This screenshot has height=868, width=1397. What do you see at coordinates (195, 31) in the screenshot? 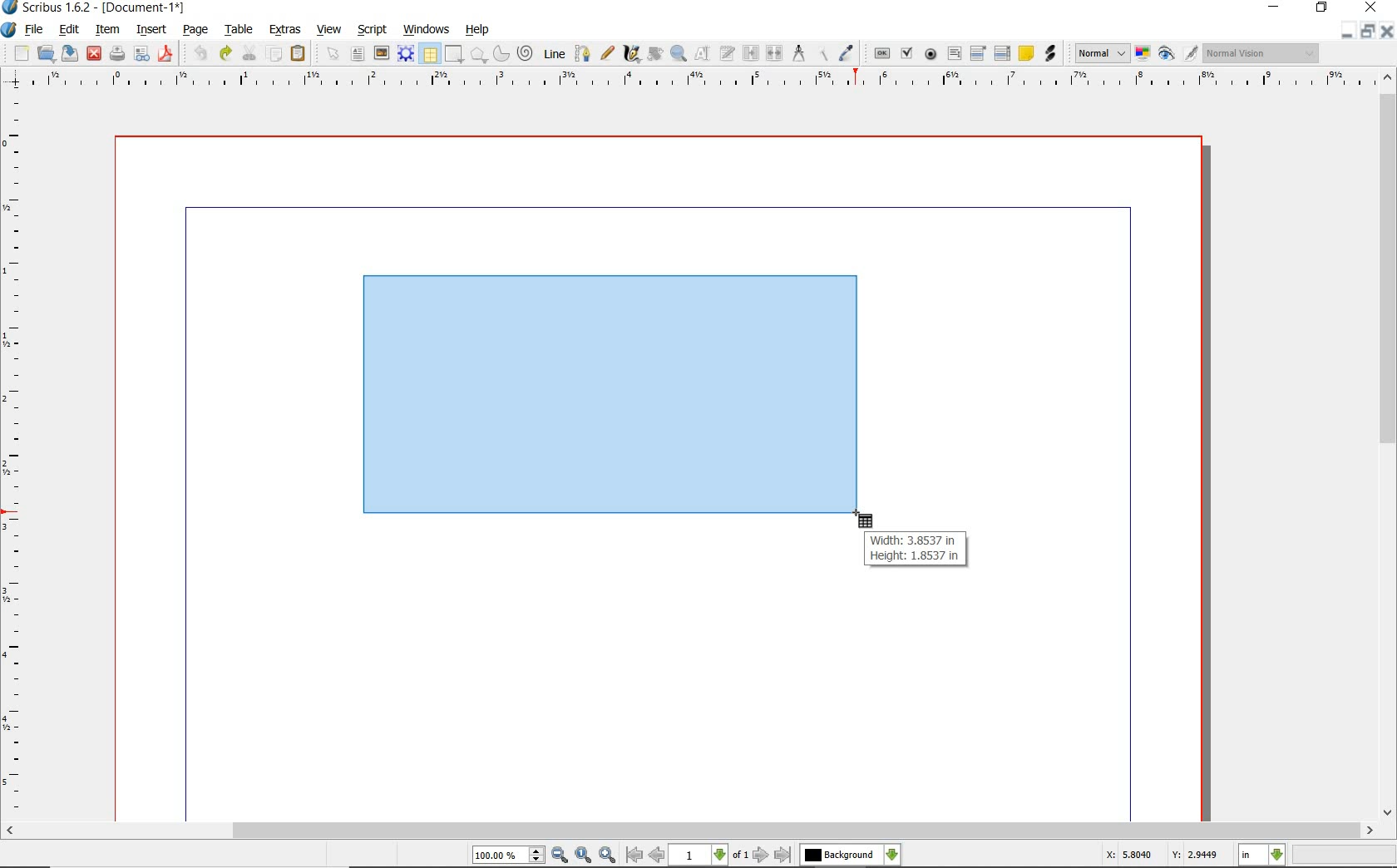
I see `page` at bounding box center [195, 31].